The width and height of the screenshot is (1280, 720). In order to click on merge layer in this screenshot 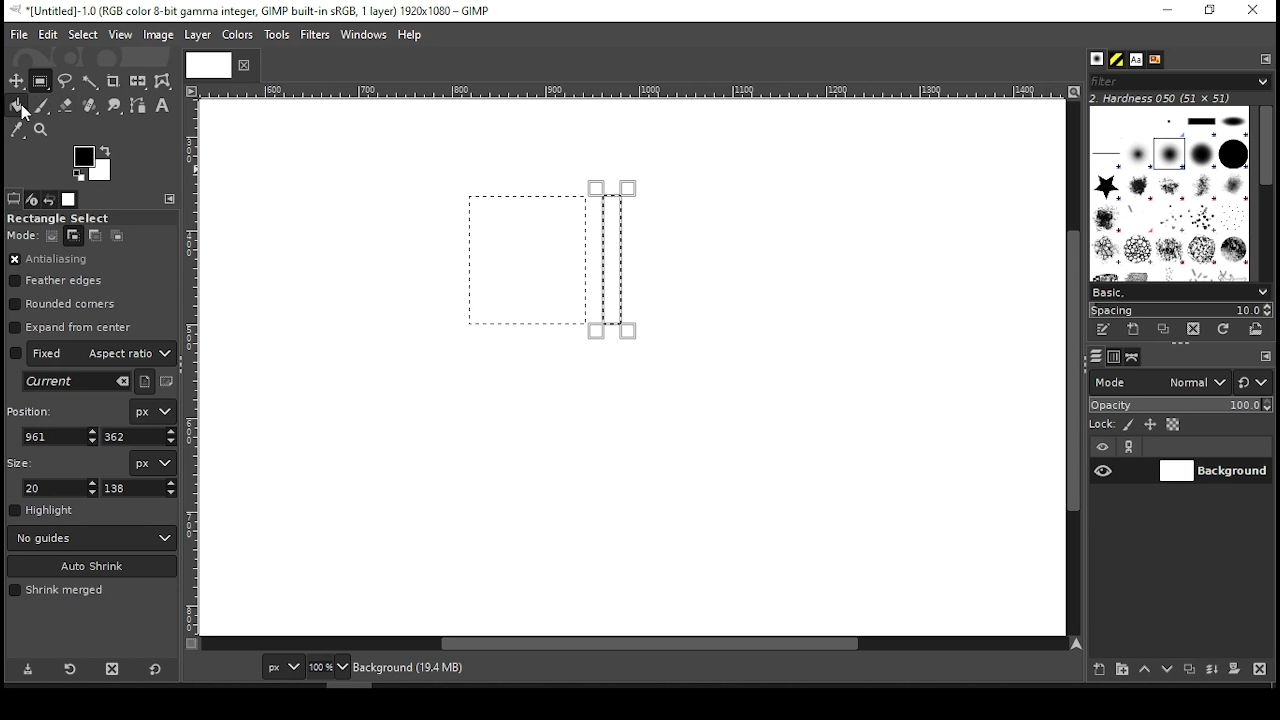, I will do `click(1212, 670)`.